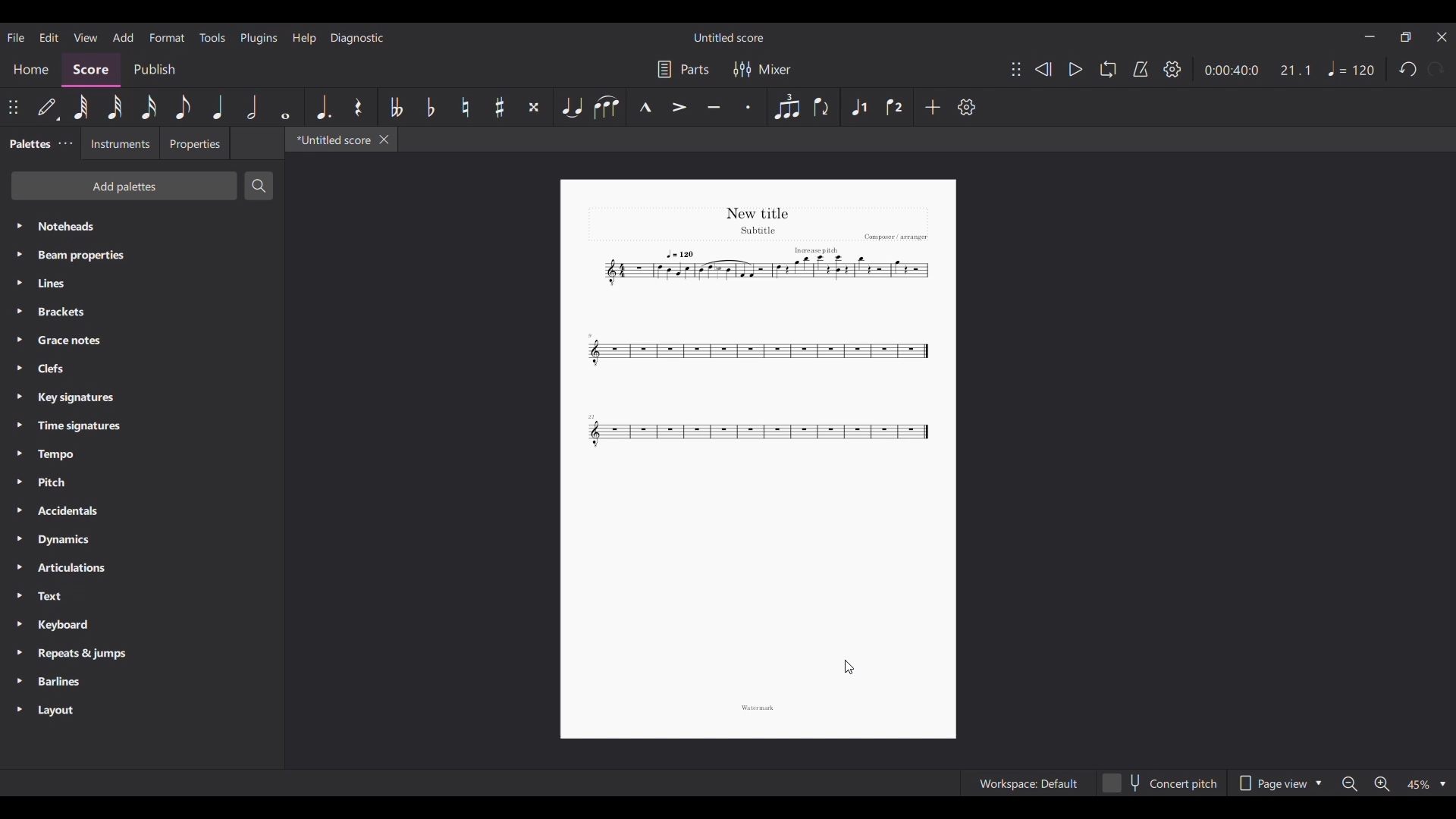  Describe the element at coordinates (571, 107) in the screenshot. I see `Tie` at that location.